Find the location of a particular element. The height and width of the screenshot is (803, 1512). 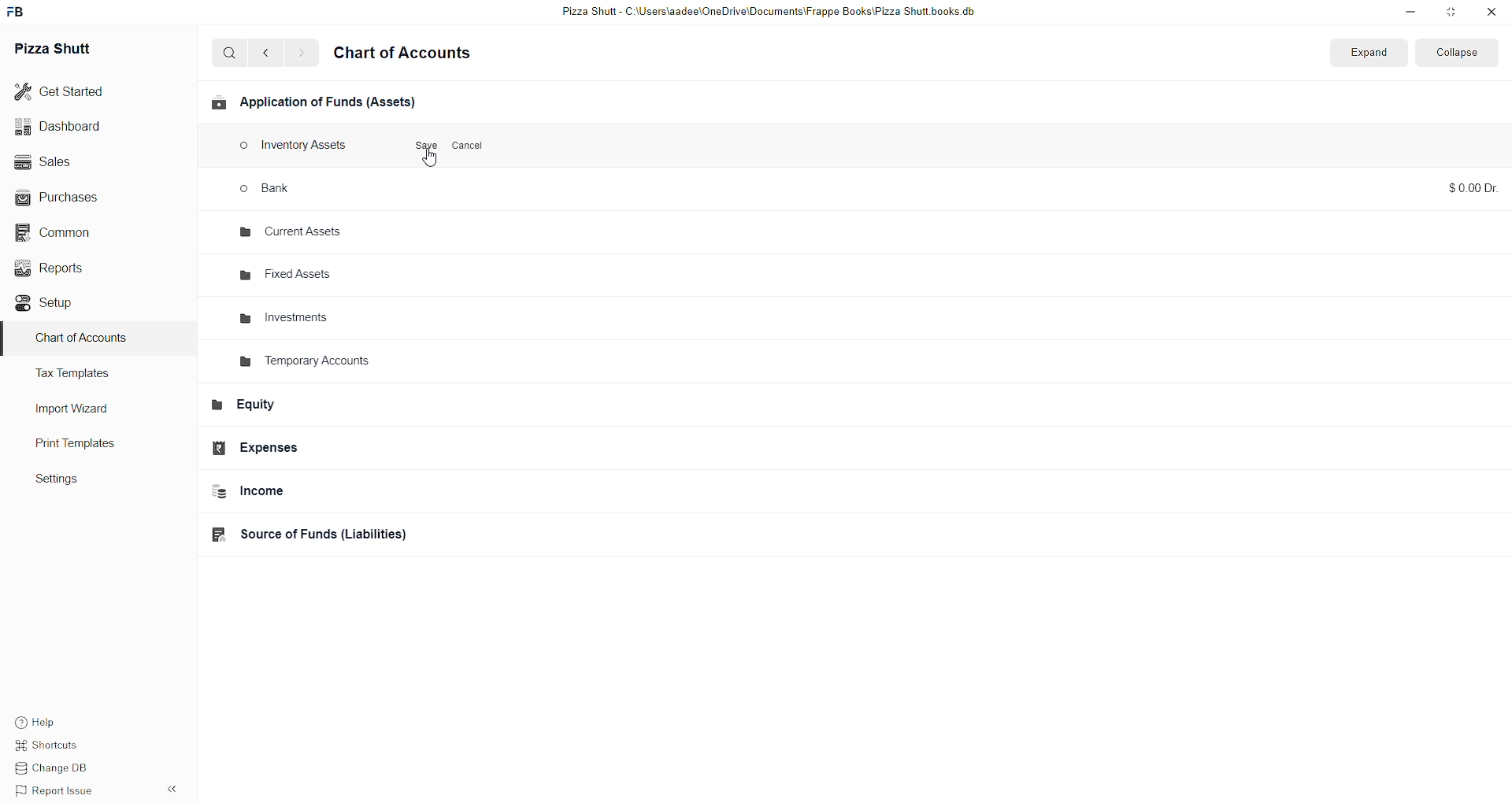

Pizza Shutt is located at coordinates (73, 51).